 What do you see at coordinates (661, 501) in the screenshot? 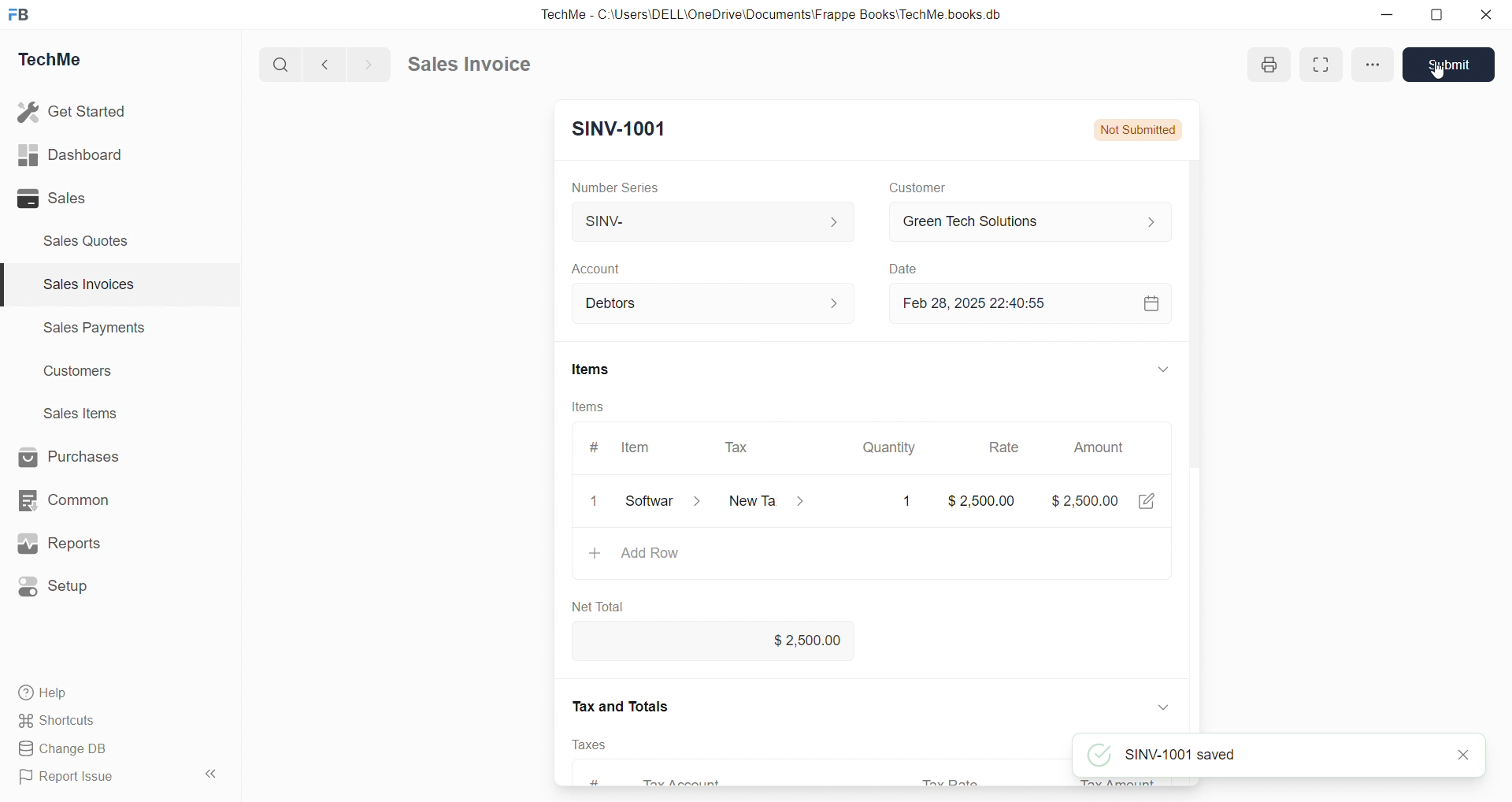
I see `Software` at bounding box center [661, 501].